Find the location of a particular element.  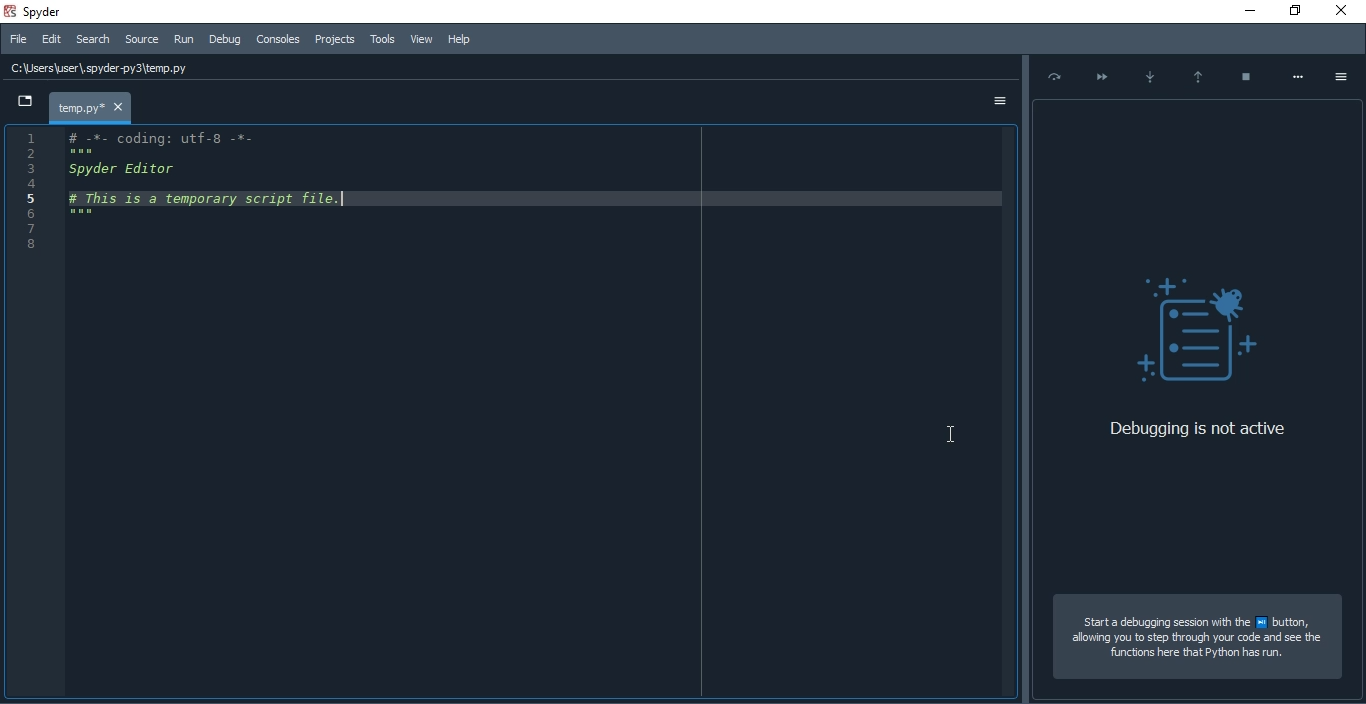

cursor is located at coordinates (950, 431).